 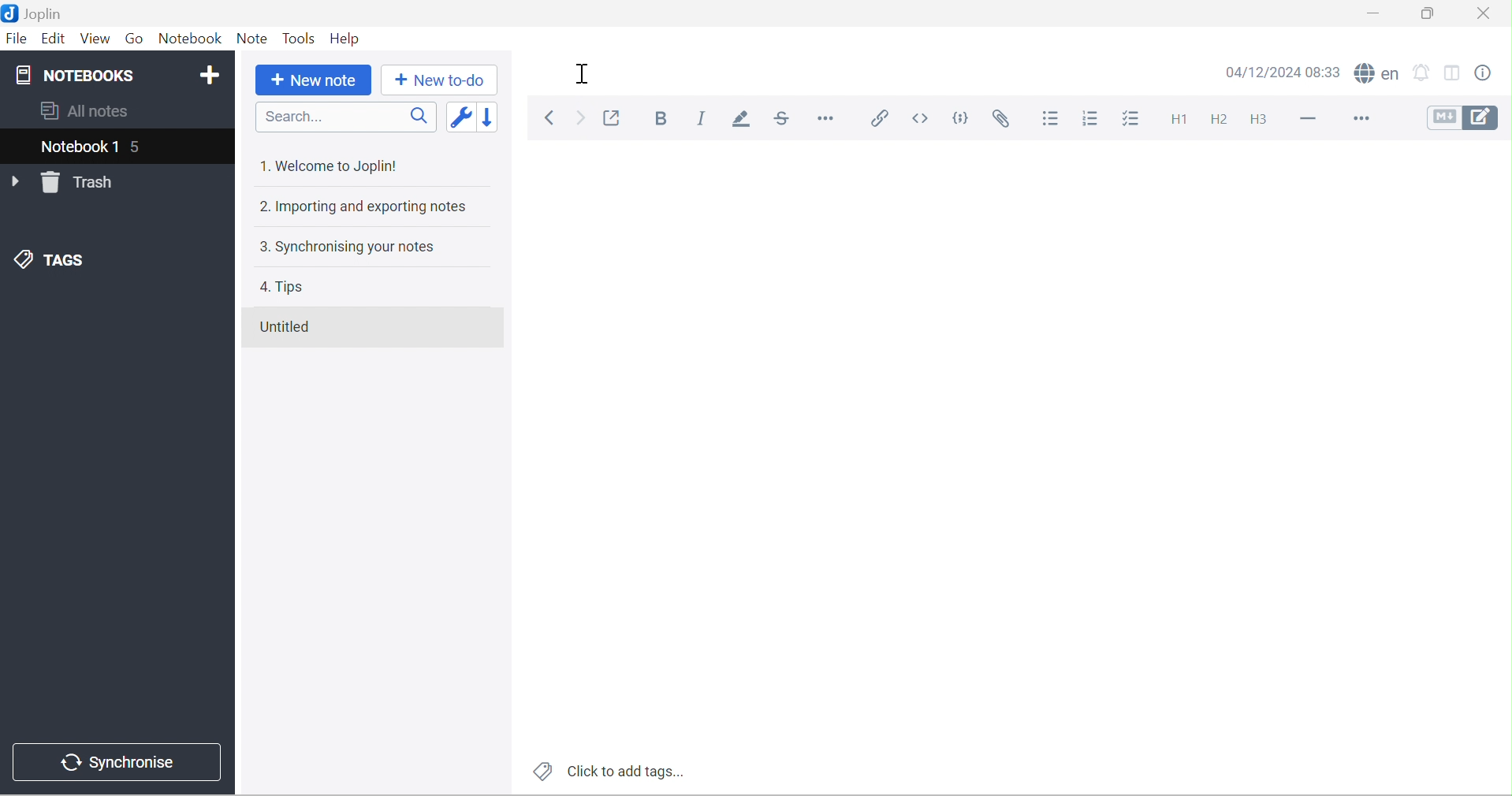 I want to click on Close, so click(x=1489, y=16).